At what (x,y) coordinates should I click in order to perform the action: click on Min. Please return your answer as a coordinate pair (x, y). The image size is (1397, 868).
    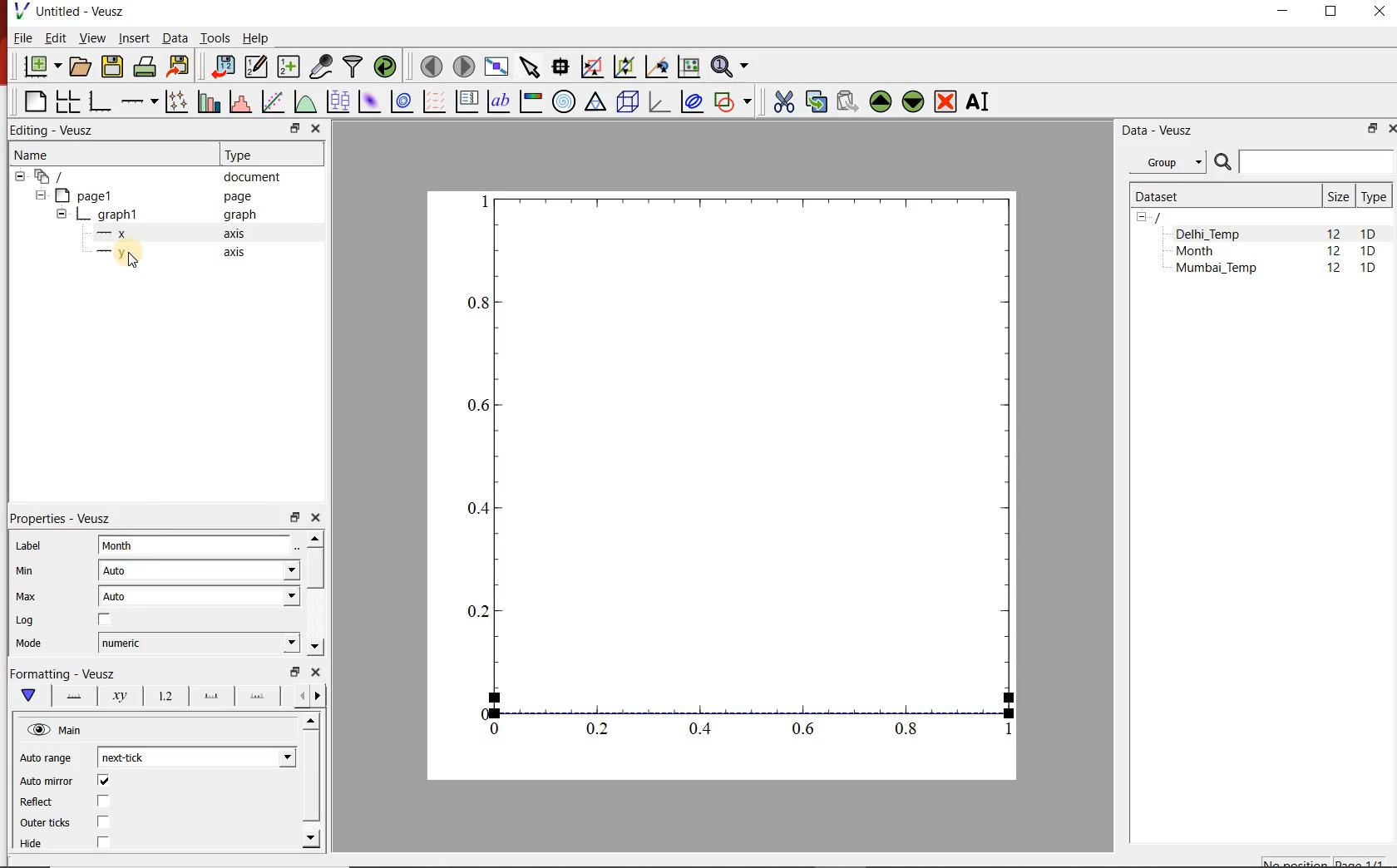
    Looking at the image, I should click on (23, 571).